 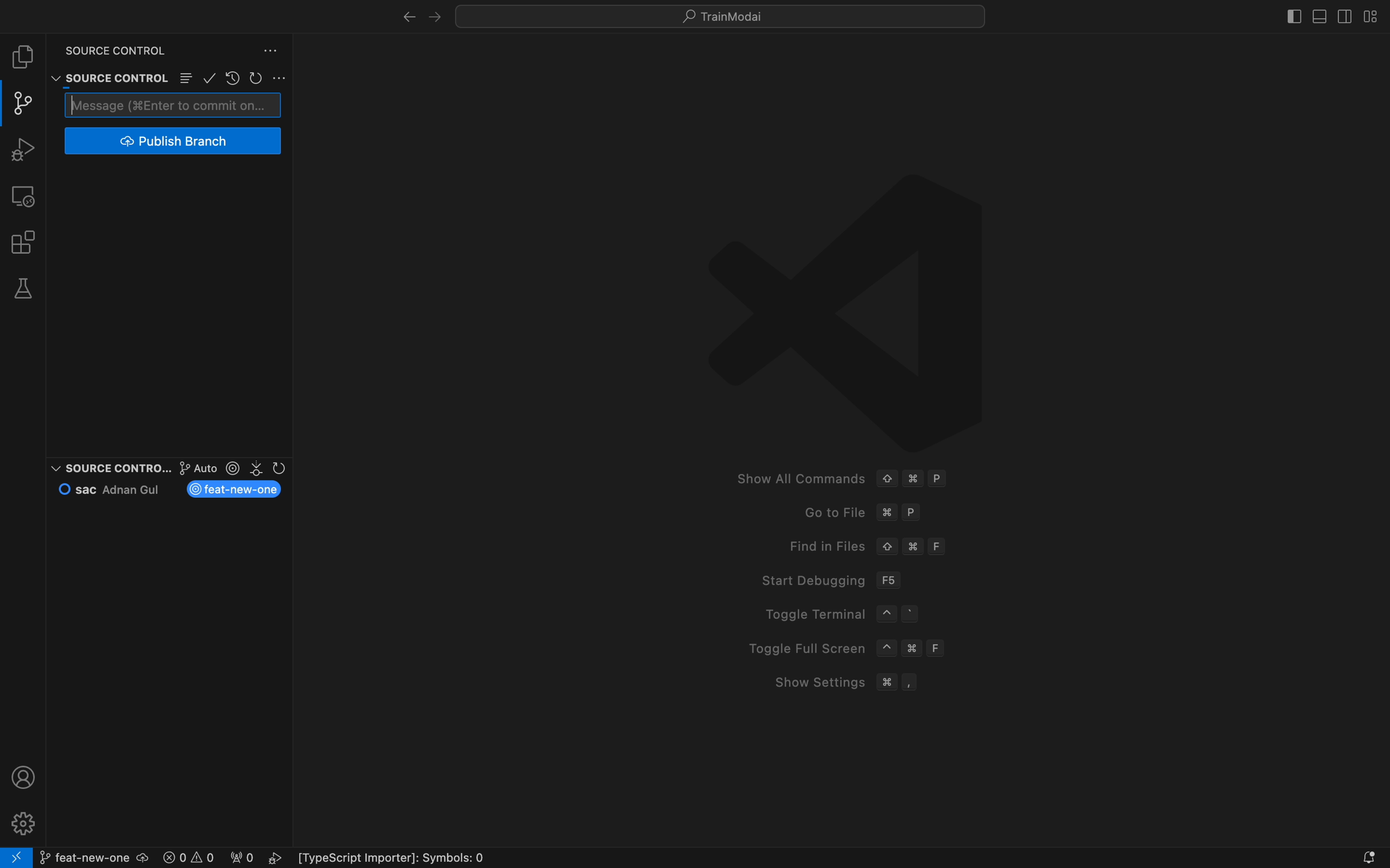 I want to click on debug, so click(x=27, y=149).